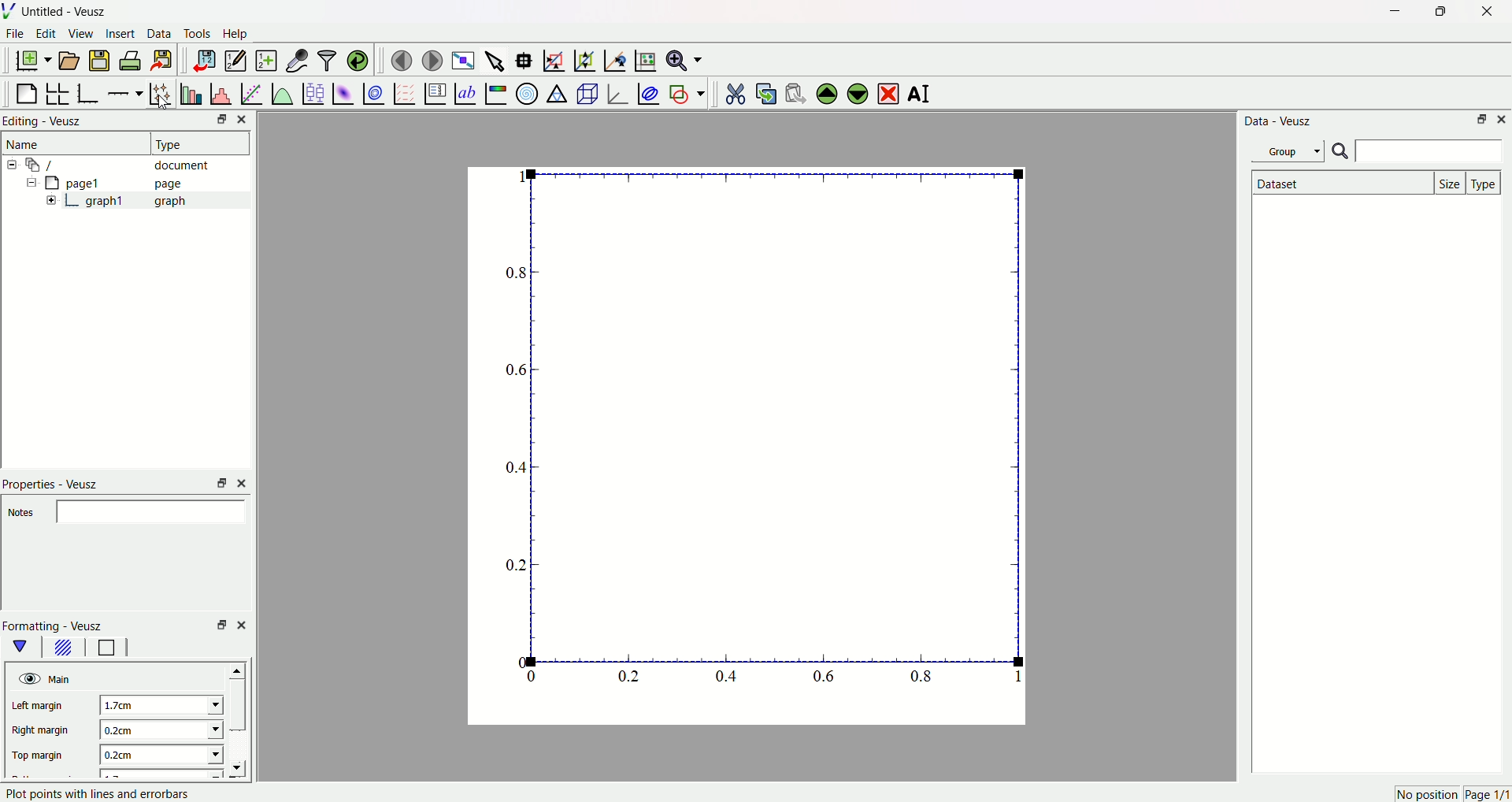  What do you see at coordinates (62, 678) in the screenshot?
I see `Main` at bounding box center [62, 678].